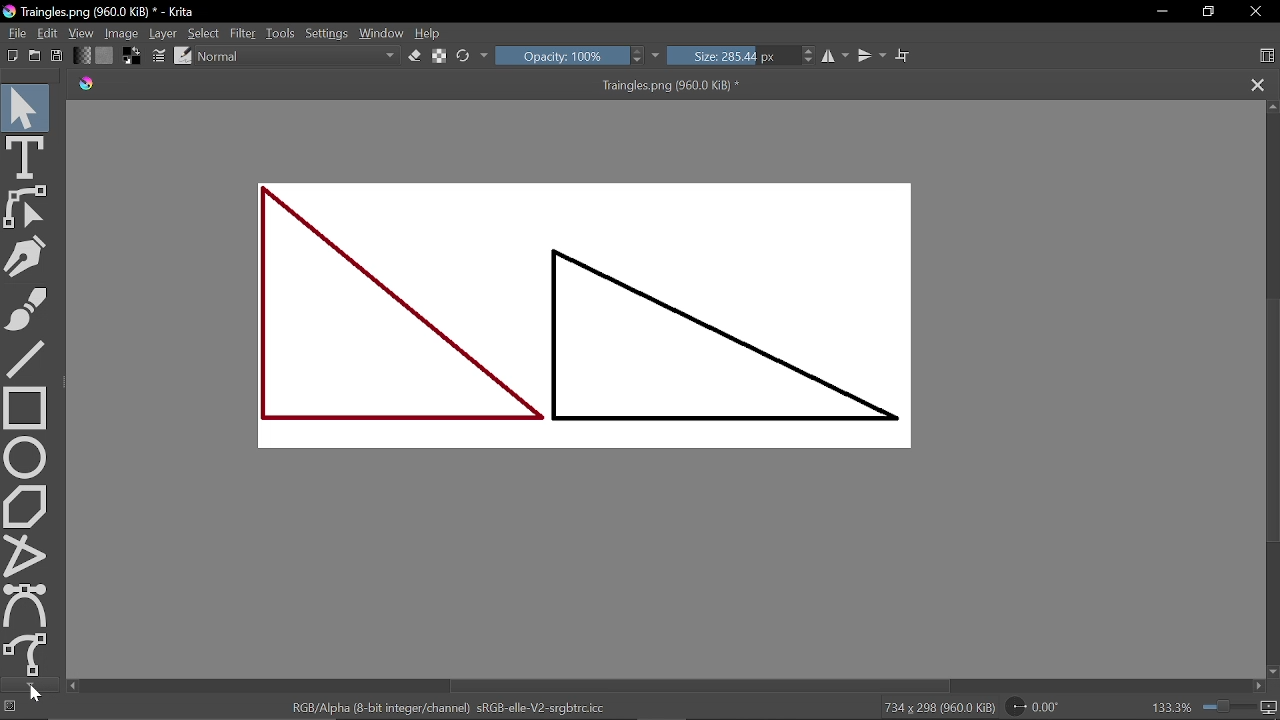  What do you see at coordinates (329, 33) in the screenshot?
I see `Settings` at bounding box center [329, 33].